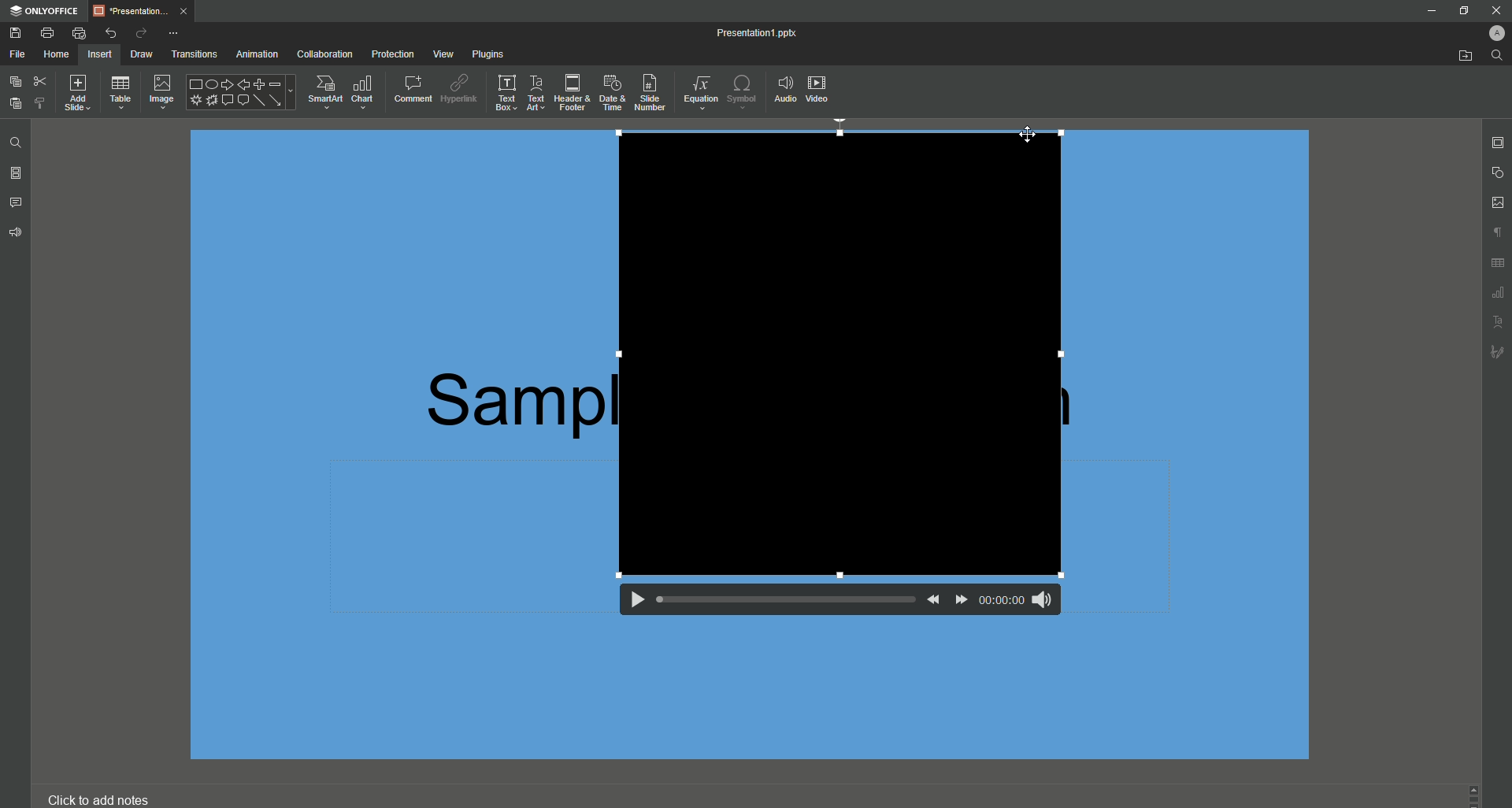 The height and width of the screenshot is (808, 1512). Describe the element at coordinates (1463, 11) in the screenshot. I see `Restore` at that location.